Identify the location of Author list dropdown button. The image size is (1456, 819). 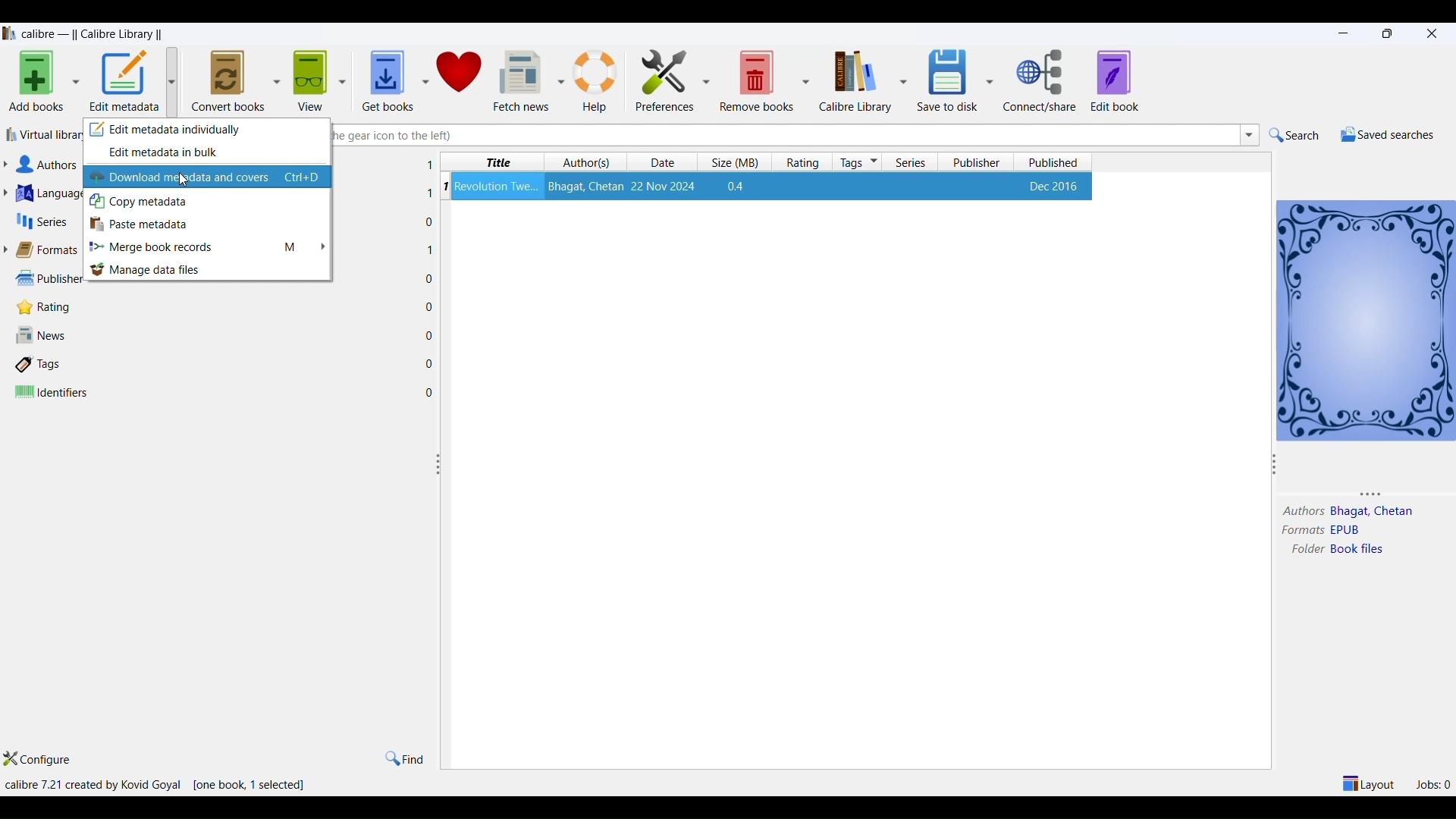
(10, 165).